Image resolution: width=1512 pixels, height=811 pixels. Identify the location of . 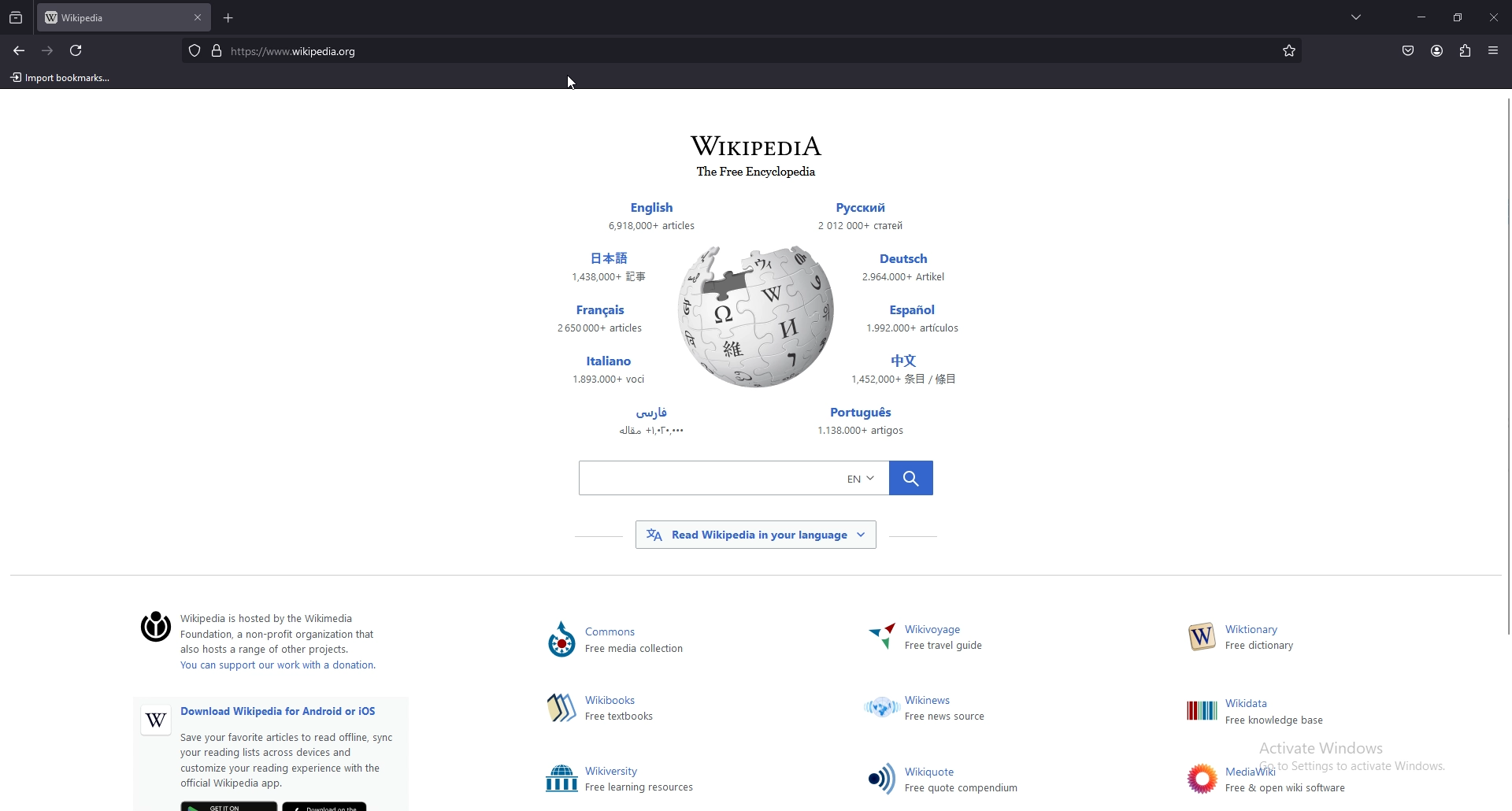
(882, 709).